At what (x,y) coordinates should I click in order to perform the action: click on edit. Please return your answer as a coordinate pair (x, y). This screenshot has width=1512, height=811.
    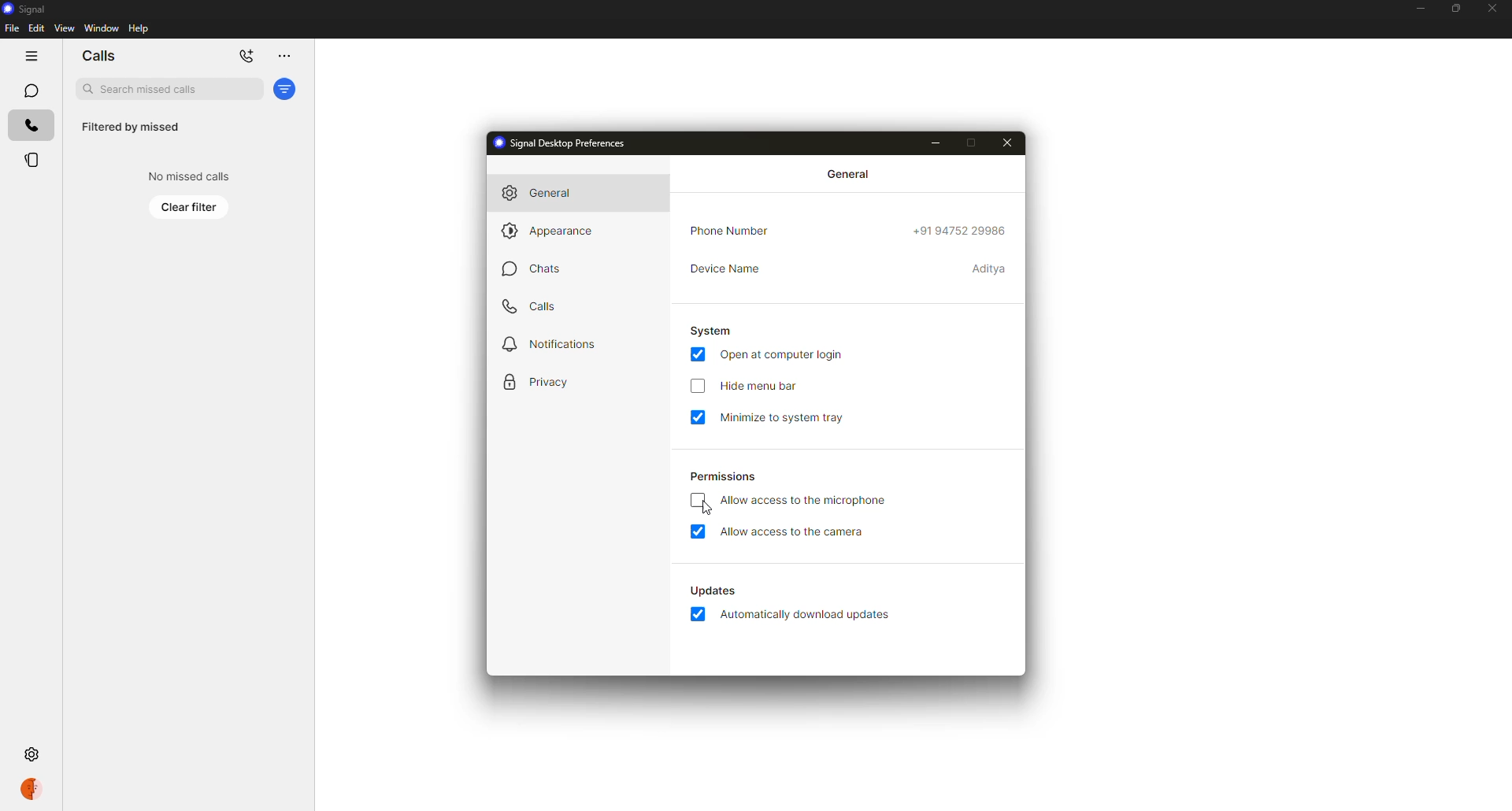
    Looking at the image, I should click on (36, 28).